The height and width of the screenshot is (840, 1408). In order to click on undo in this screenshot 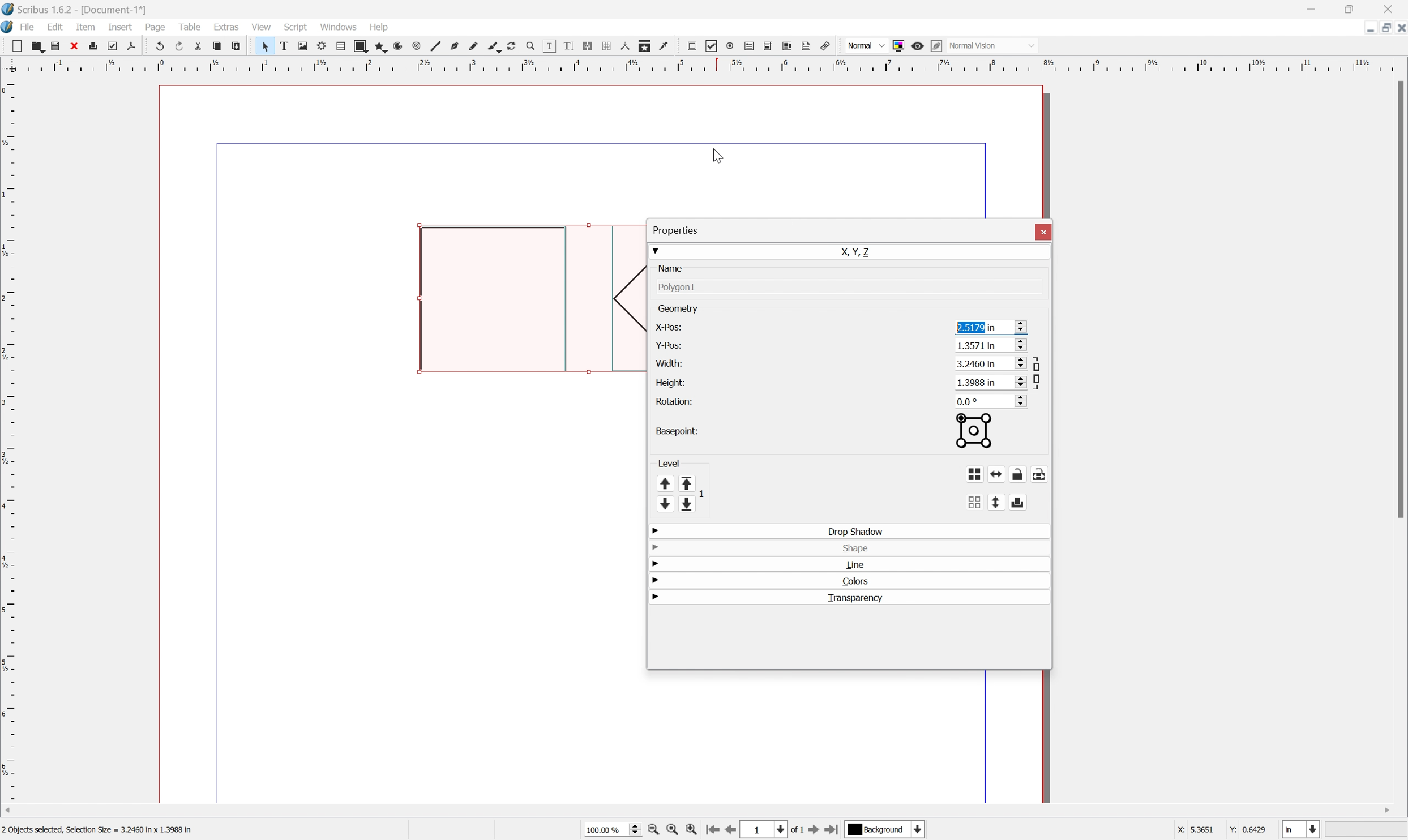, I will do `click(160, 47)`.